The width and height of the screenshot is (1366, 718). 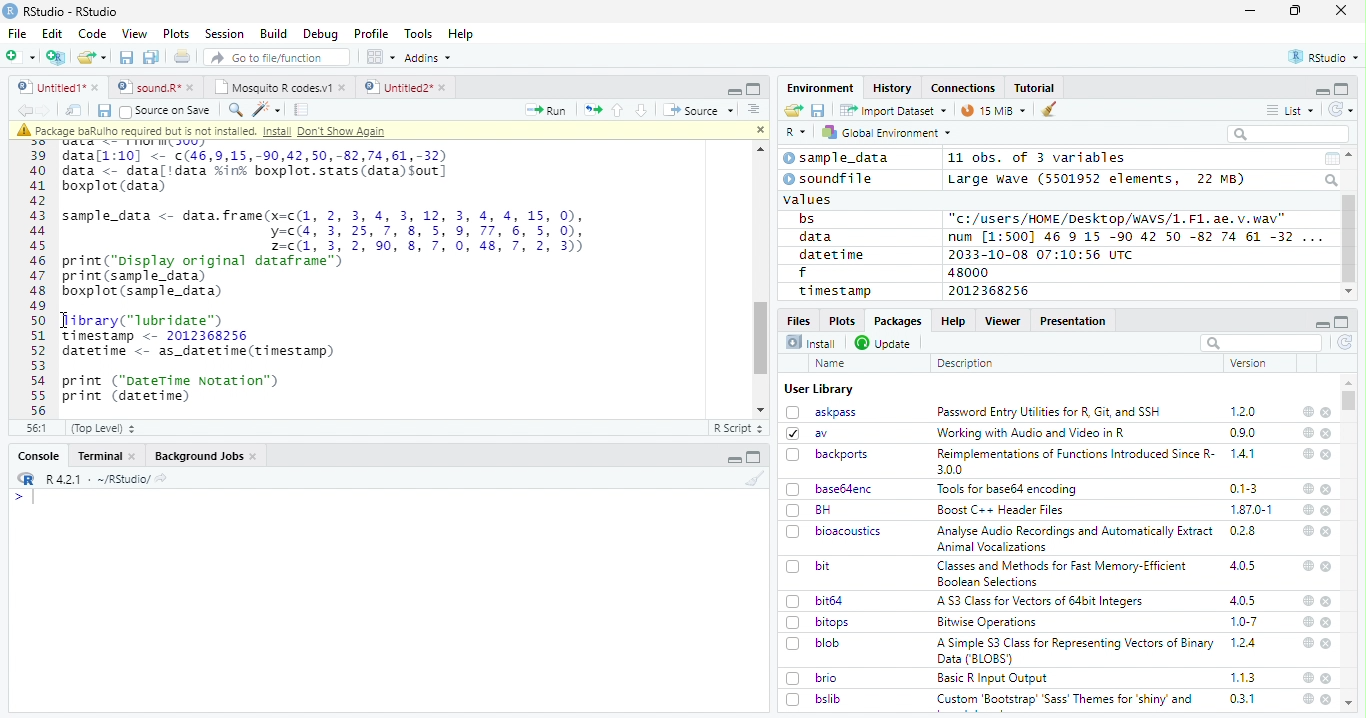 I want to click on RStudio, so click(x=1325, y=58).